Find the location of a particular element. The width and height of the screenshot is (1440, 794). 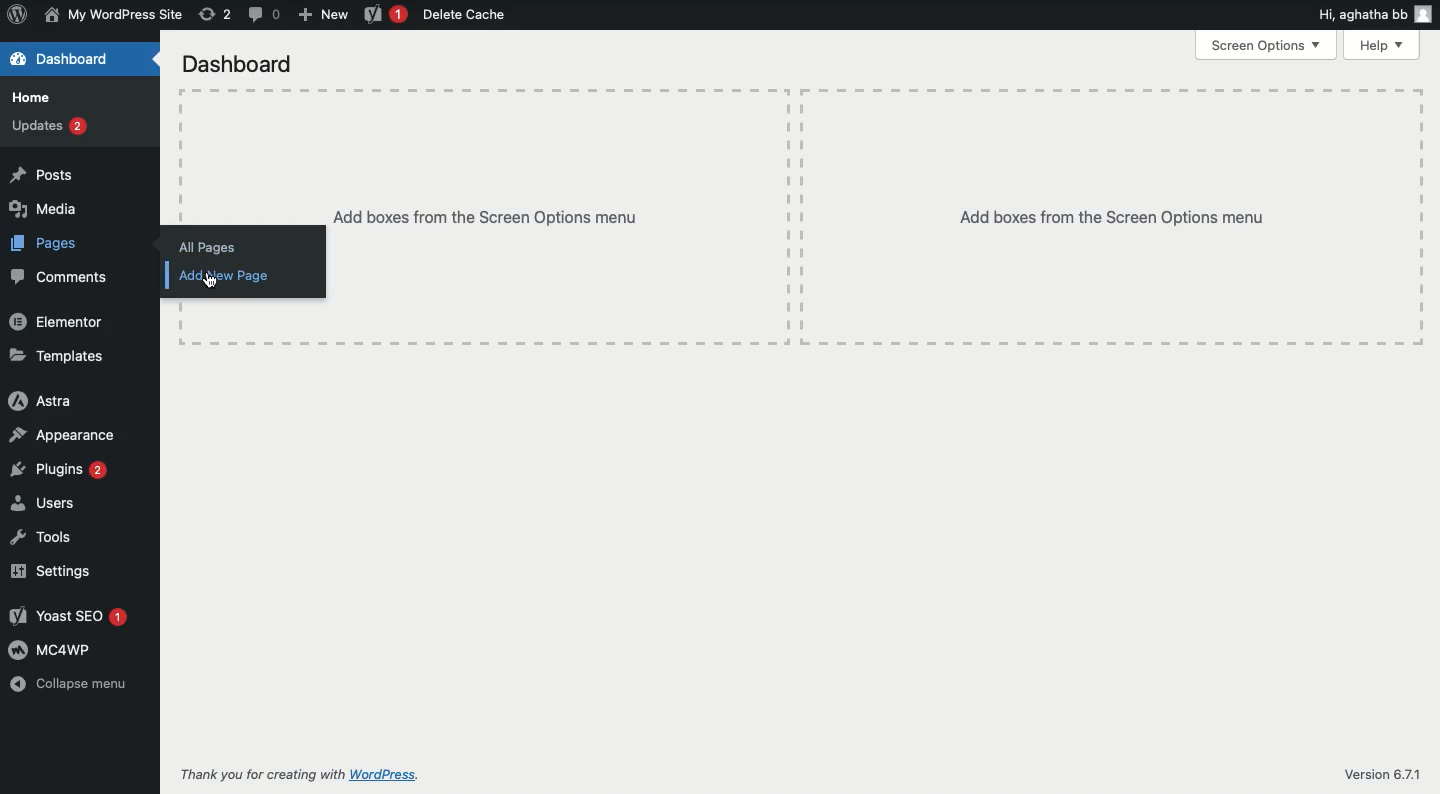

Version 6.7.1 is located at coordinates (1372, 771).